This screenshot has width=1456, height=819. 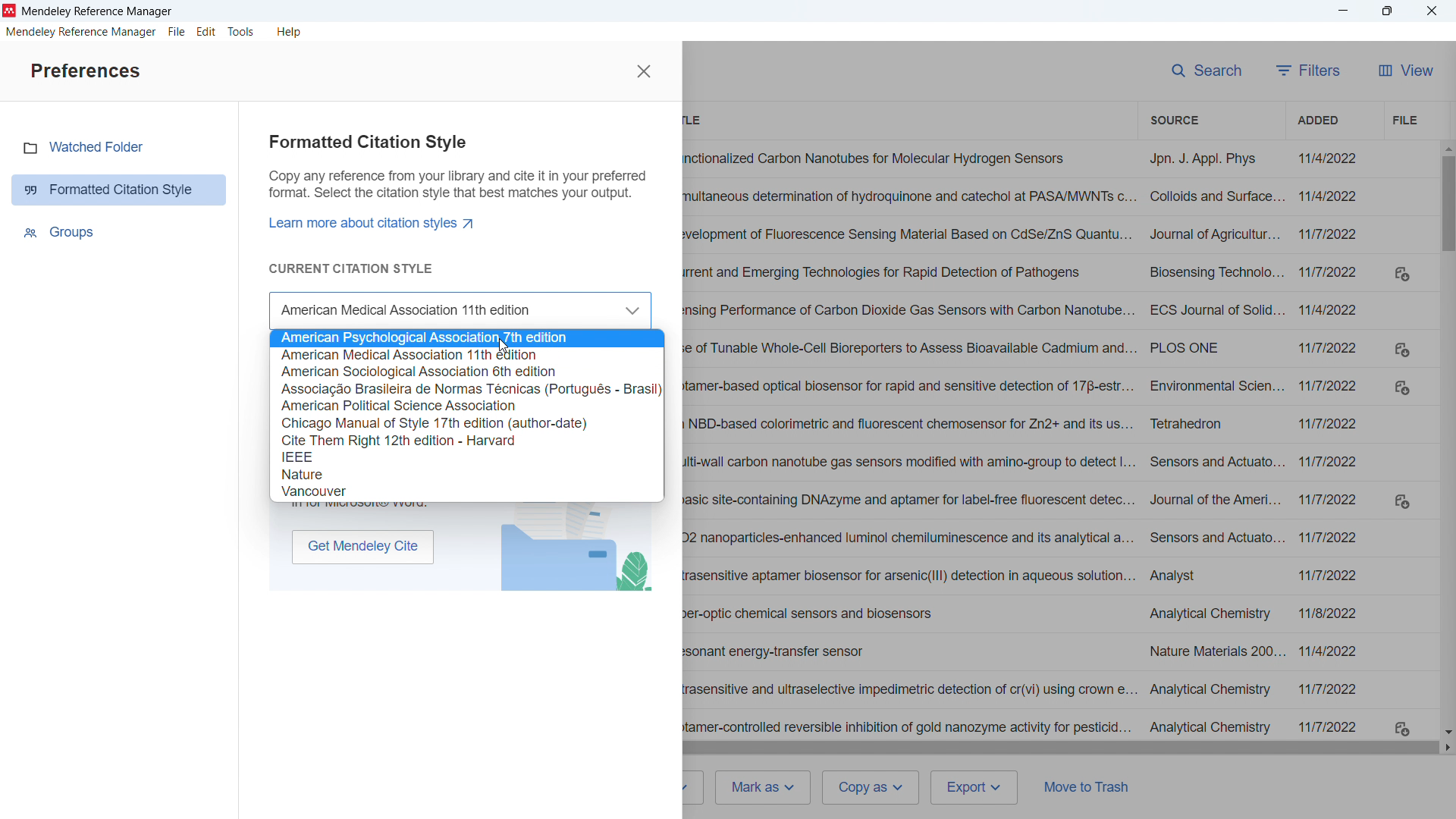 I want to click on search , so click(x=1204, y=71).